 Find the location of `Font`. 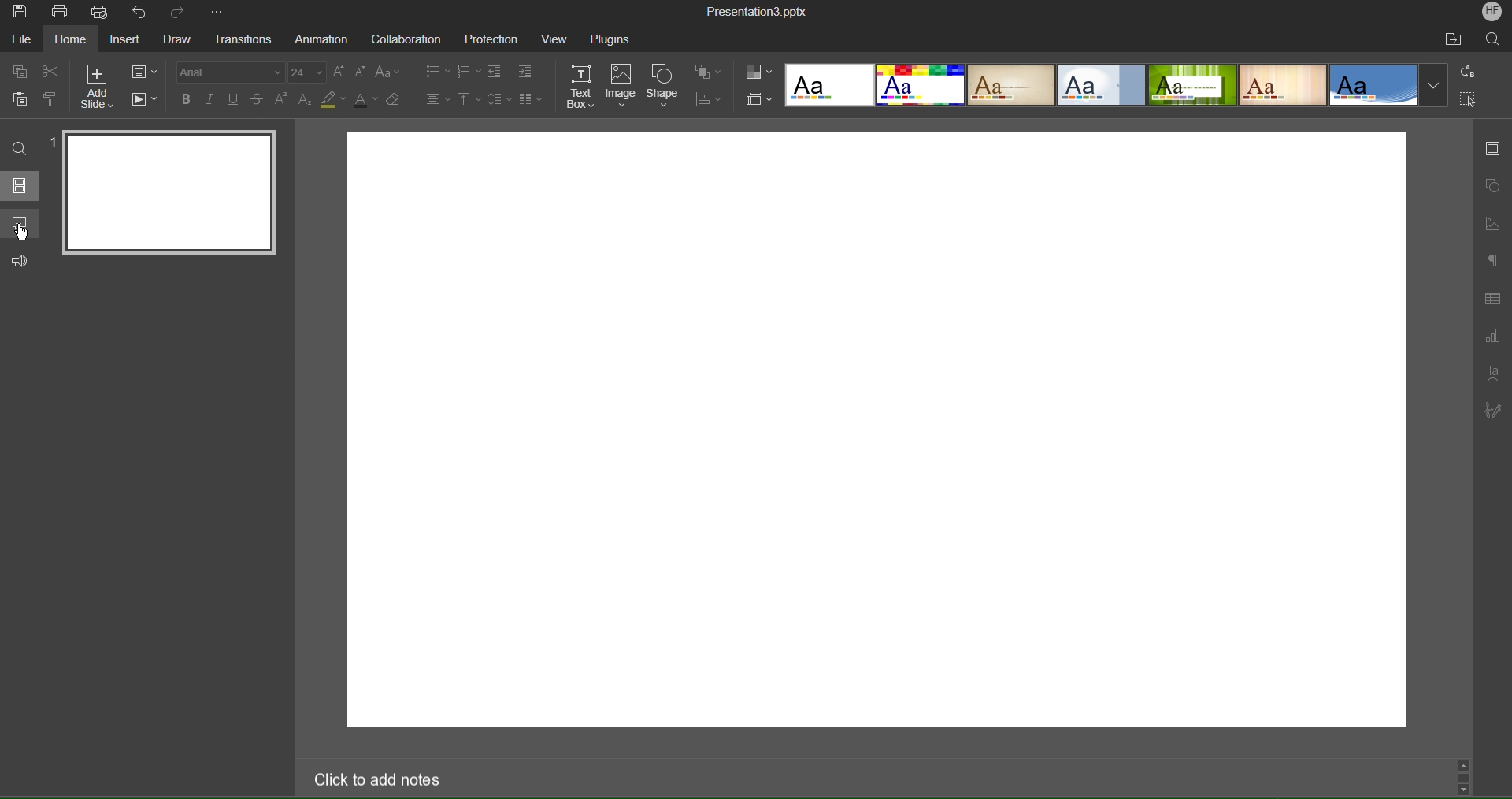

Font is located at coordinates (231, 72).